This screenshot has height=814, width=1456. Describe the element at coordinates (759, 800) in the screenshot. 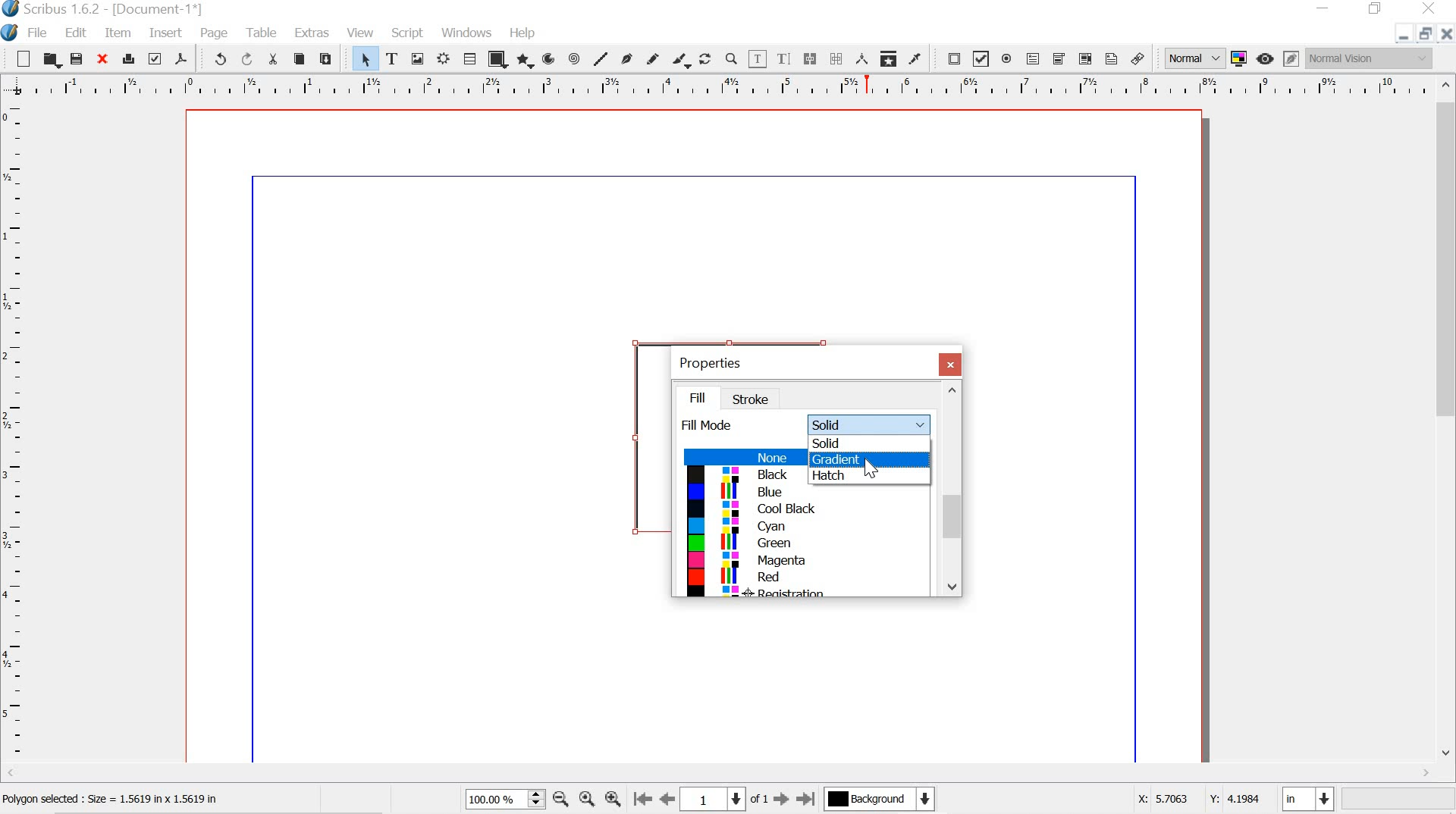

I see `of 1` at that location.